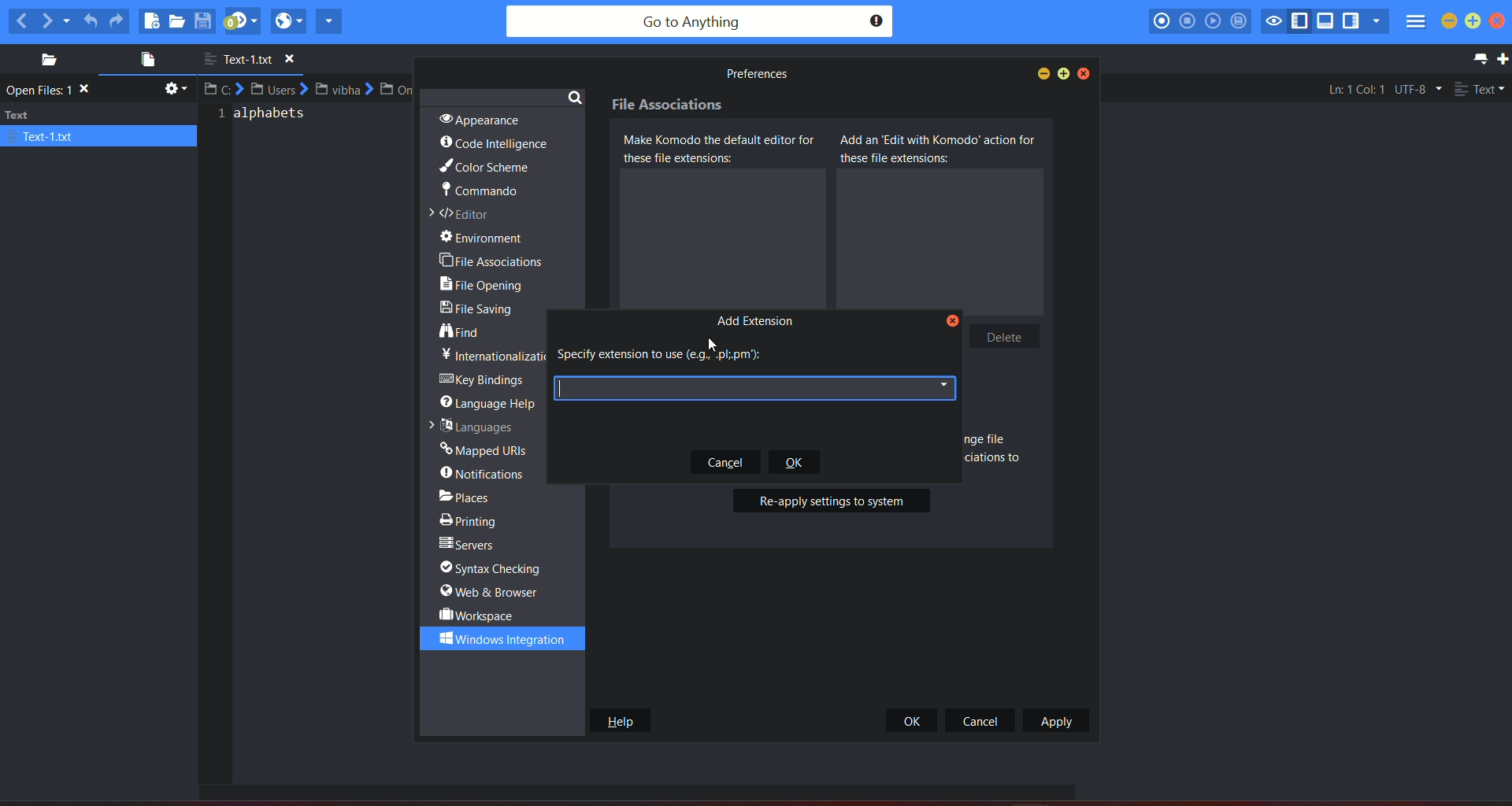 The image size is (1512, 806). I want to click on view in browser, so click(288, 20).